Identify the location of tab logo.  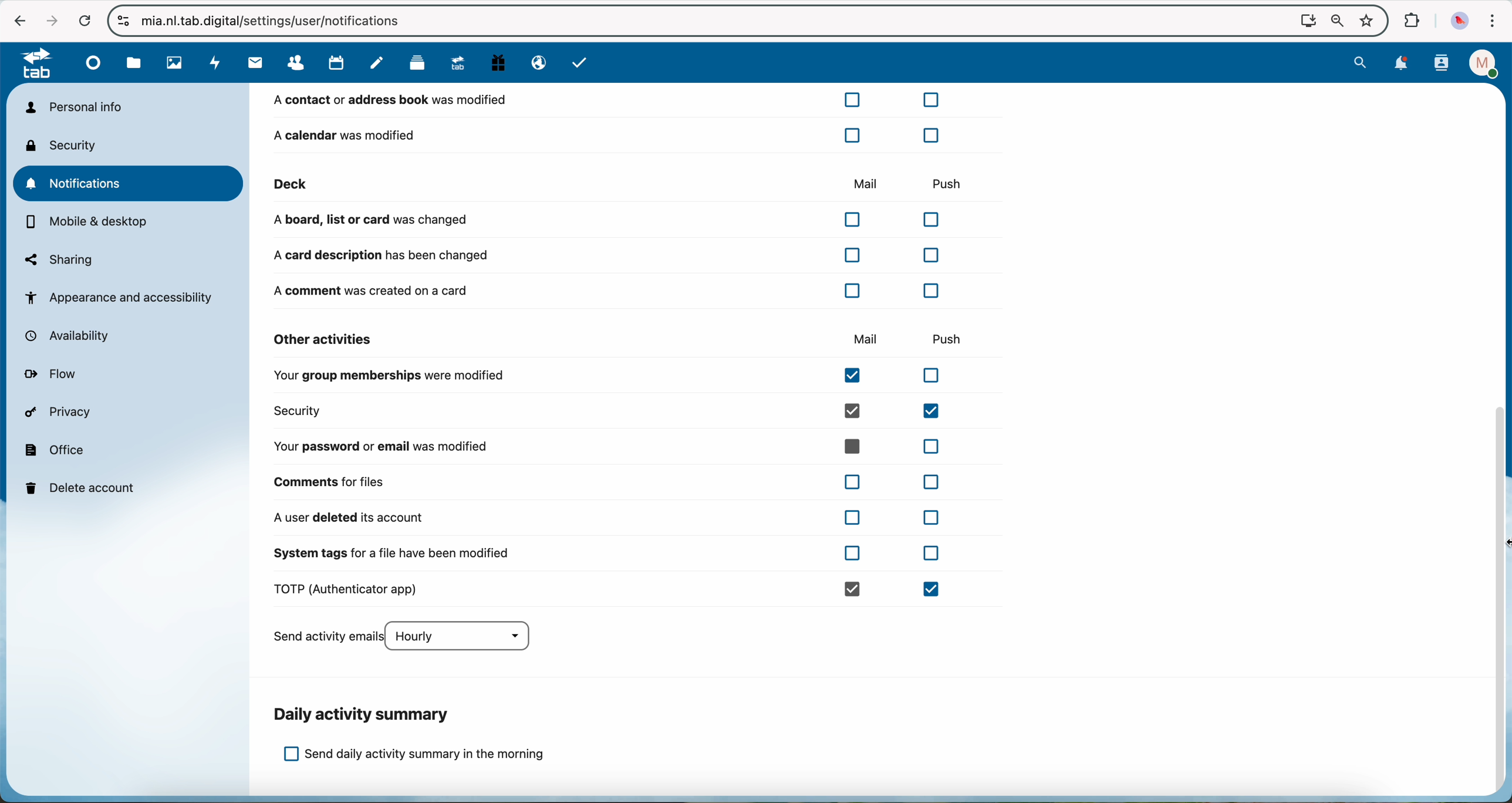
(31, 65).